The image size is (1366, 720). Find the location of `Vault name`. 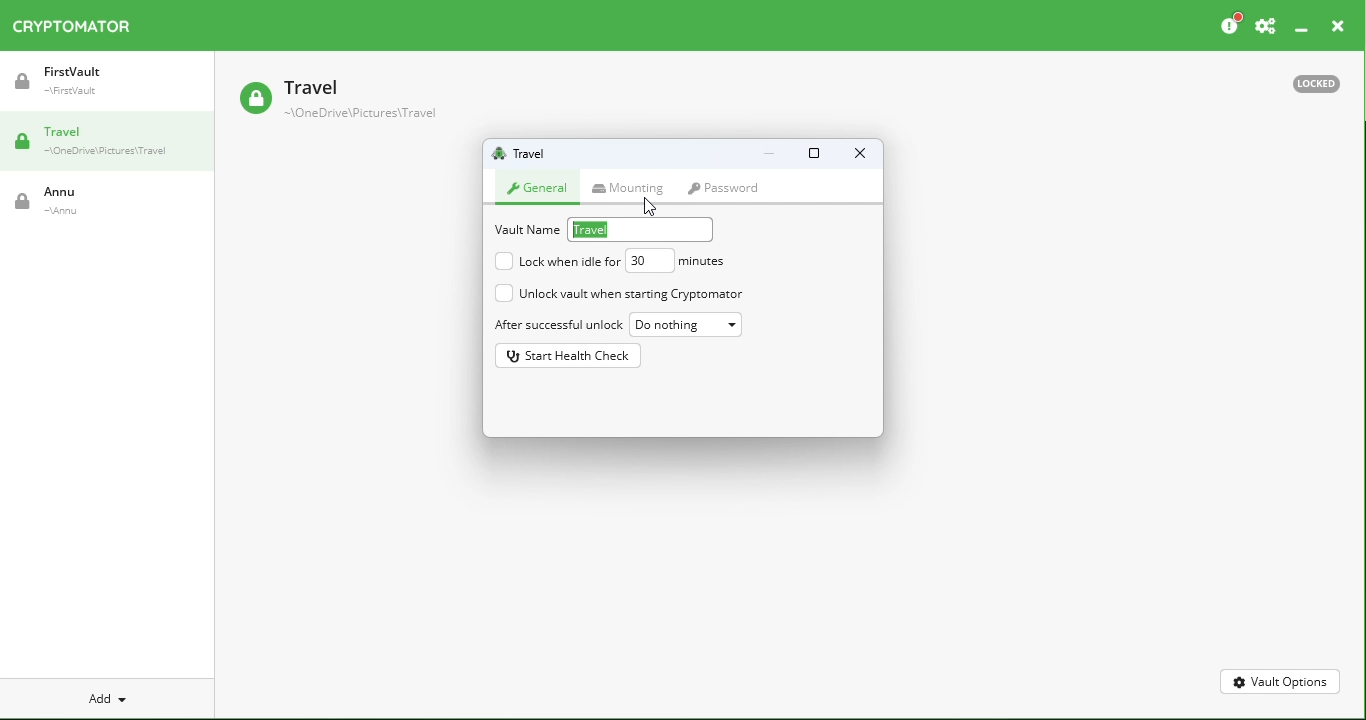

Vault name is located at coordinates (604, 229).